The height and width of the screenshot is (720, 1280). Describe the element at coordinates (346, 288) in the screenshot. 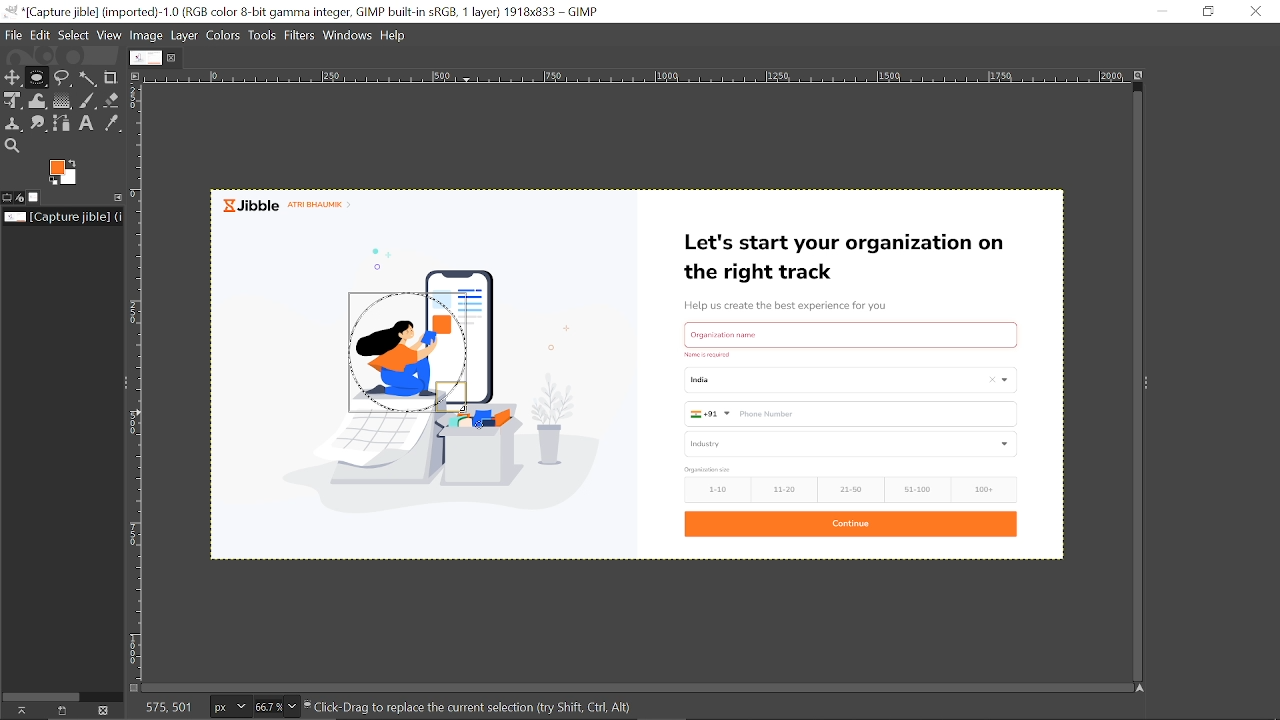

I see `cursor` at that location.